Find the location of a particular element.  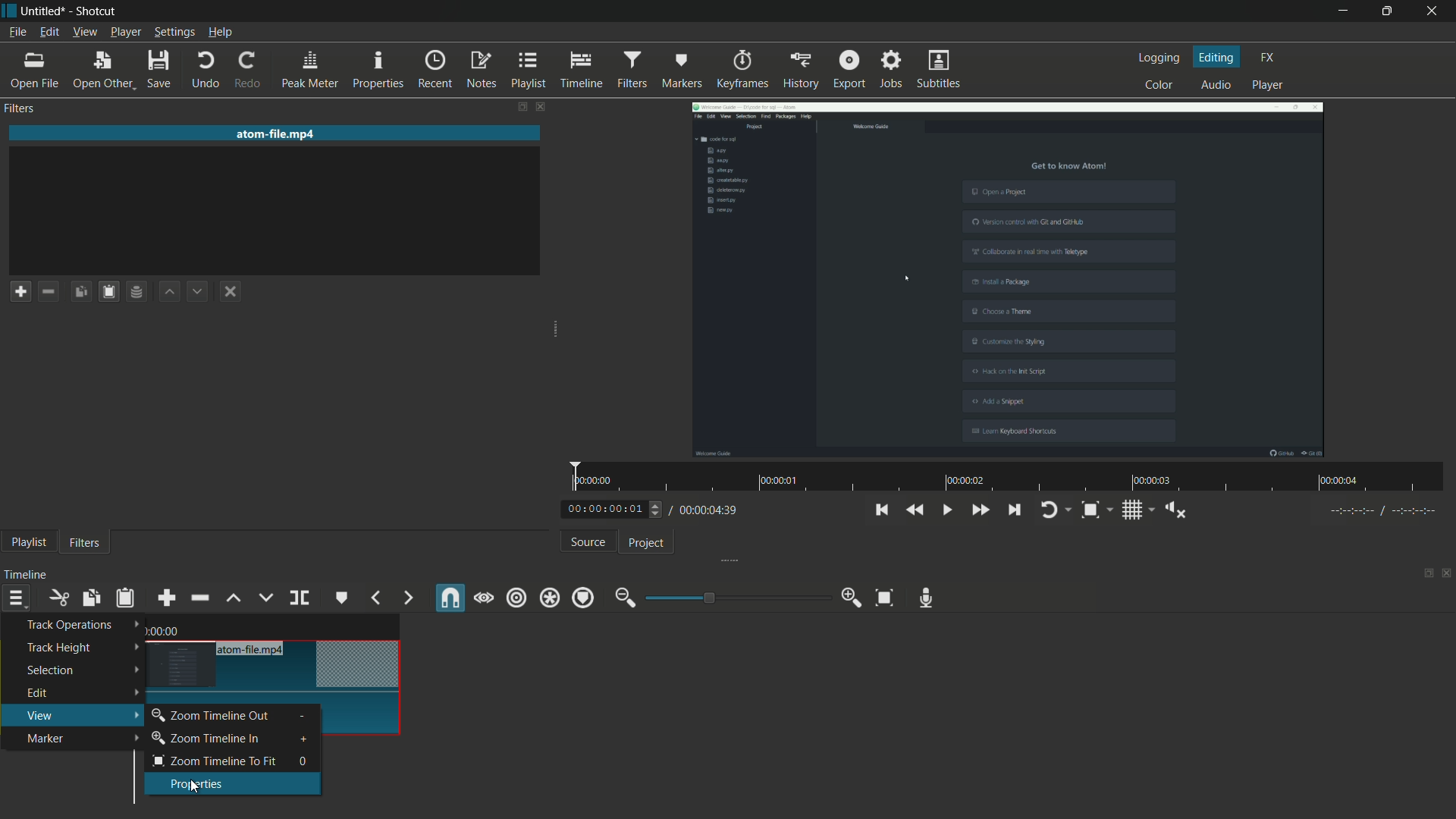

close app is located at coordinates (1433, 11).